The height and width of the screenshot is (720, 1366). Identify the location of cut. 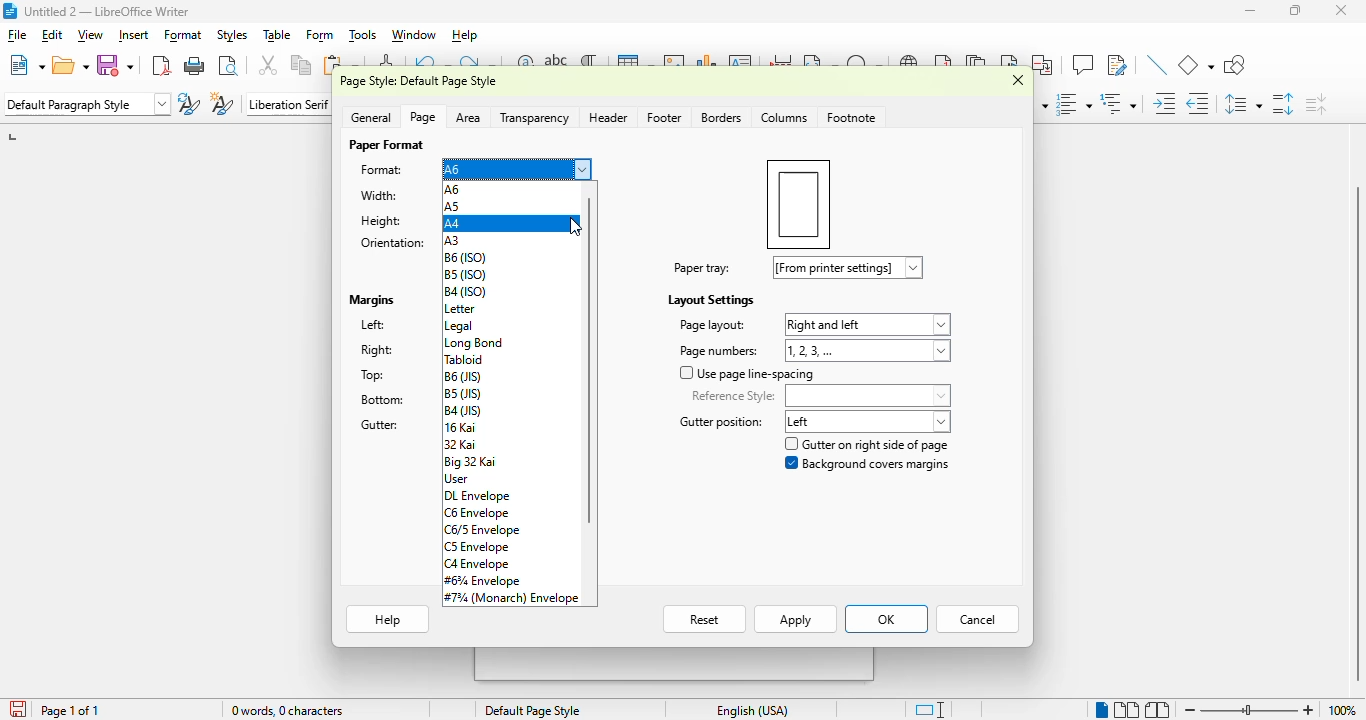
(267, 65).